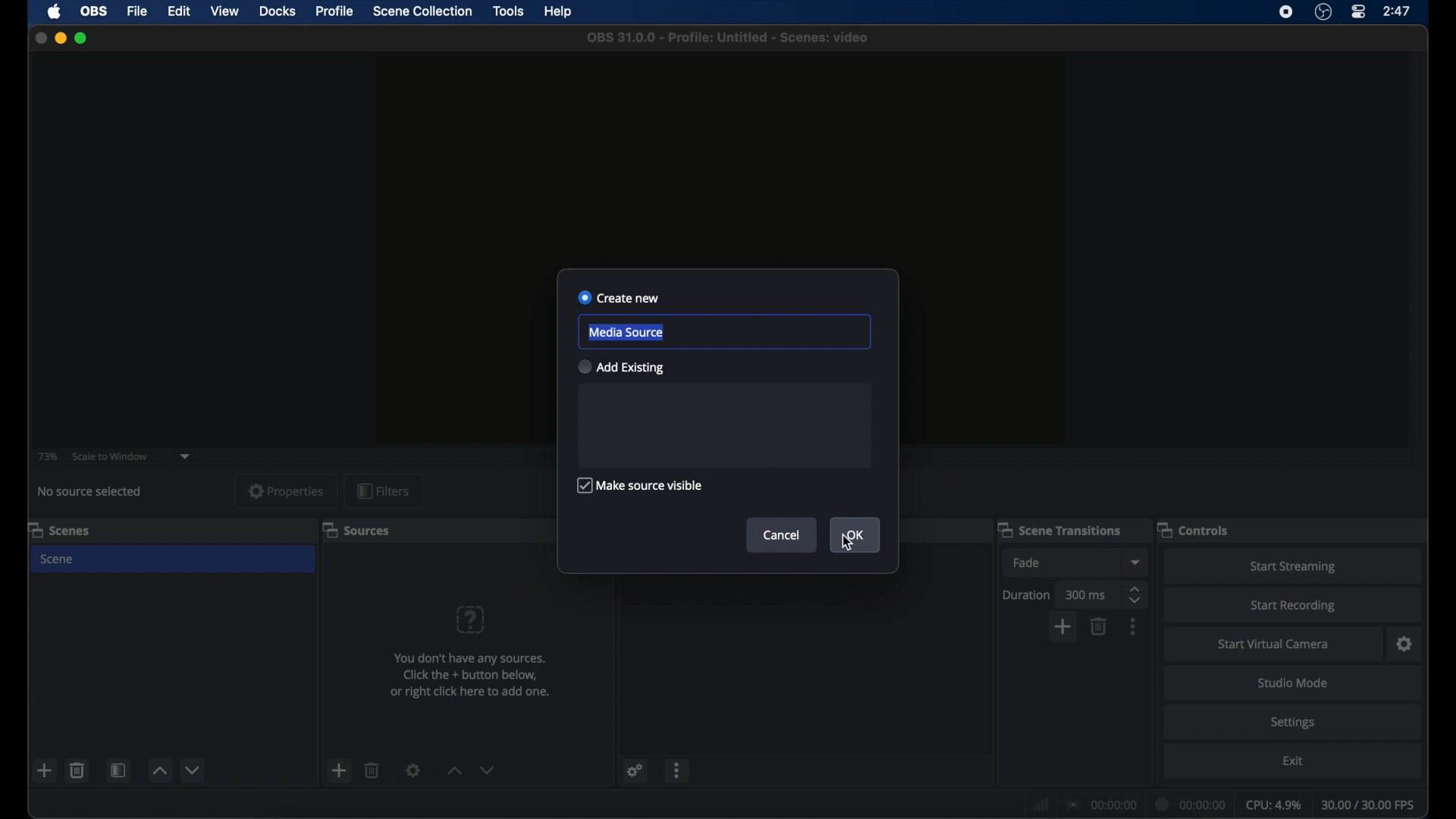  I want to click on filters, so click(383, 491).